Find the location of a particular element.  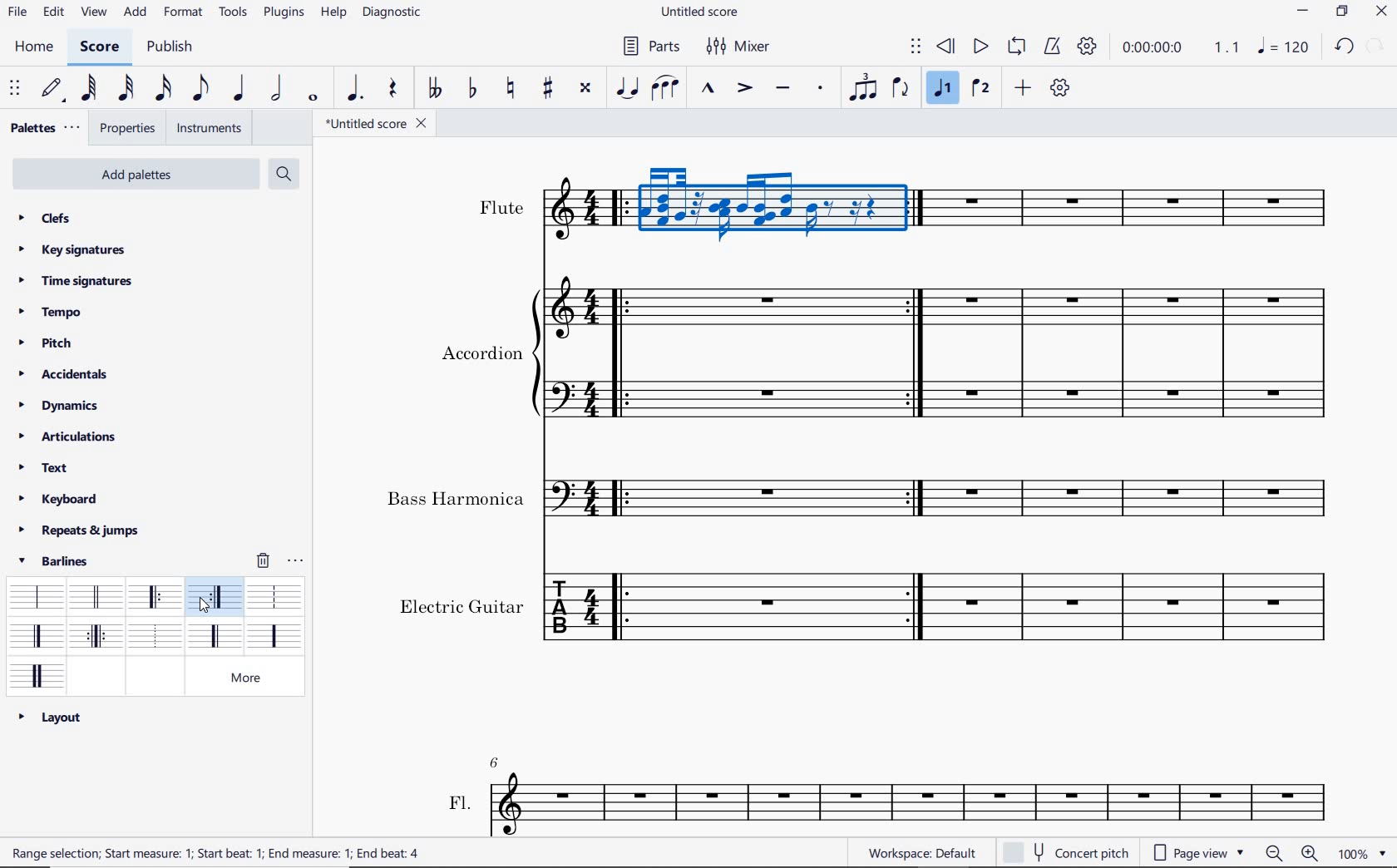

flip direction is located at coordinates (901, 89).